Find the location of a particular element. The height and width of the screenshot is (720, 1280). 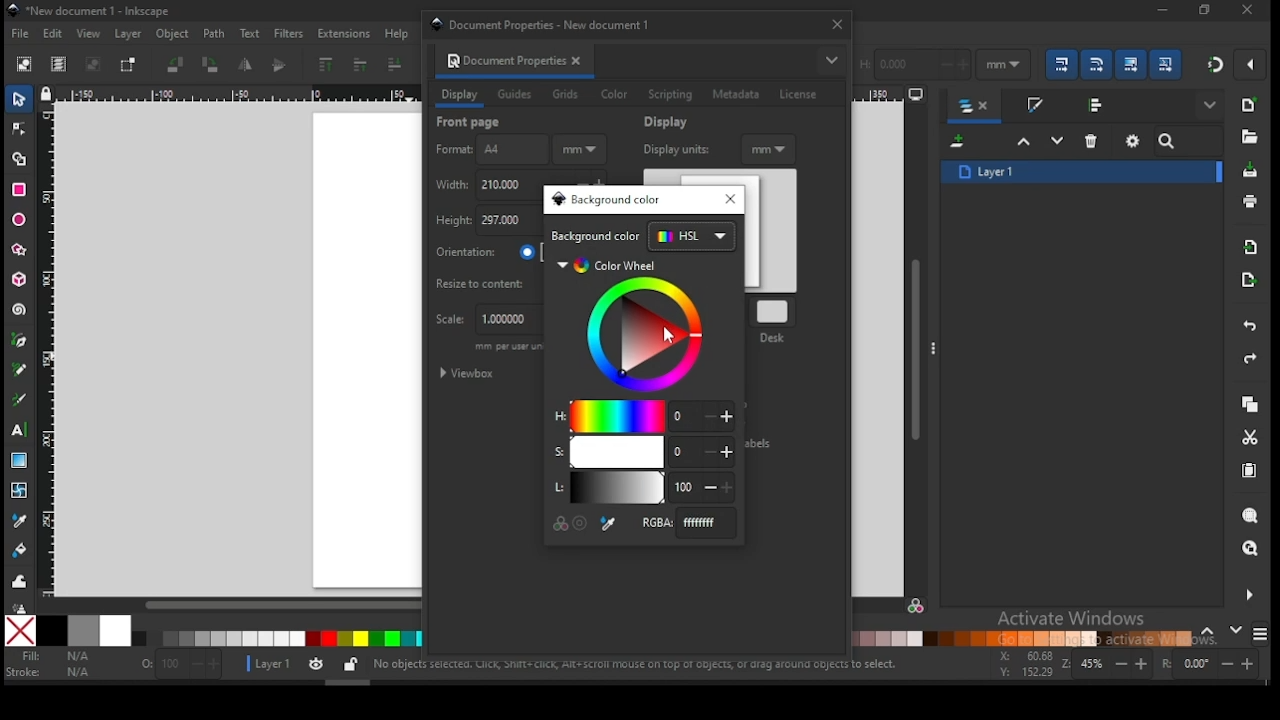

help is located at coordinates (400, 33).